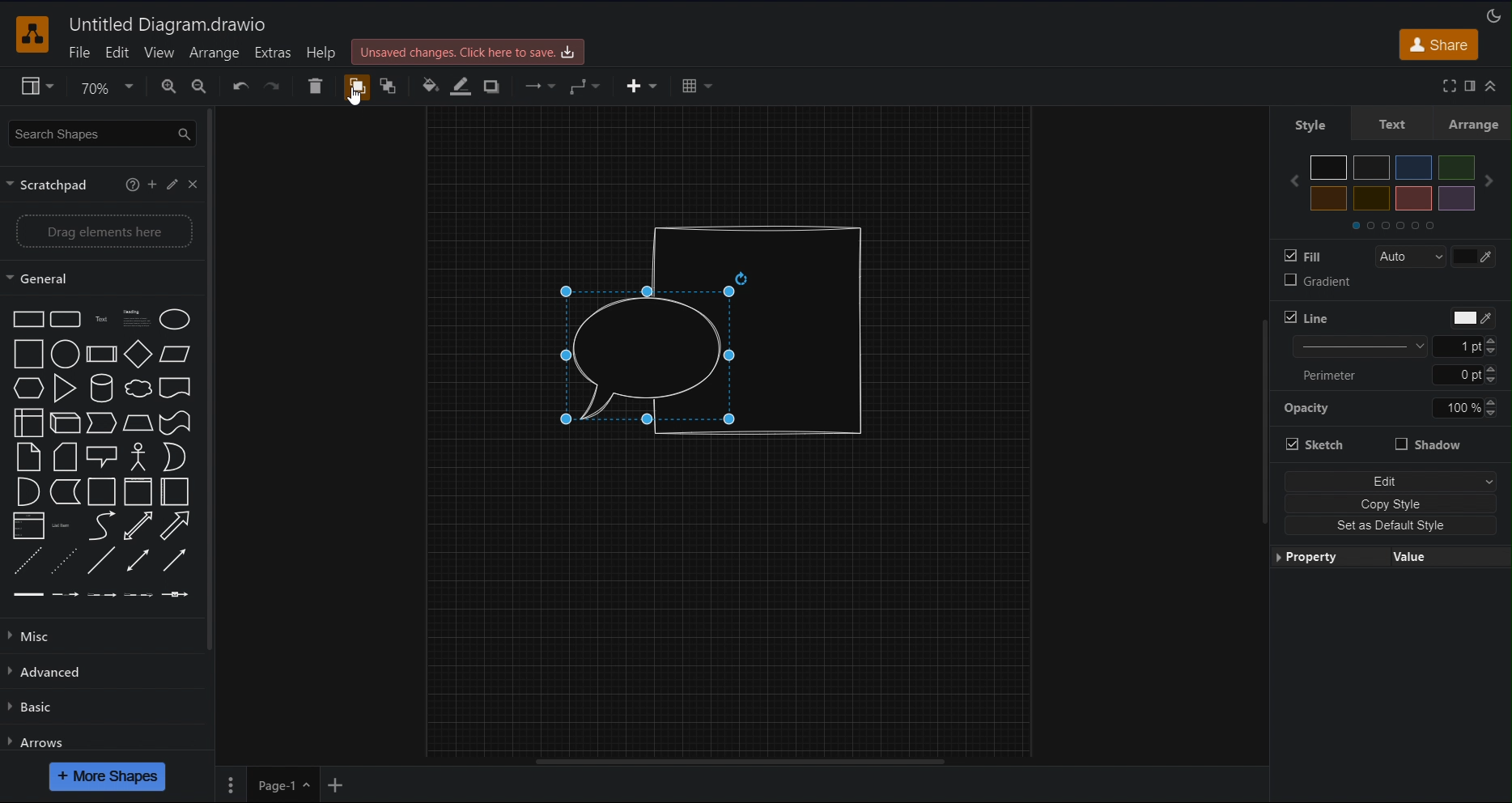 This screenshot has height=803, width=1512. I want to click on Basic, so click(102, 706).